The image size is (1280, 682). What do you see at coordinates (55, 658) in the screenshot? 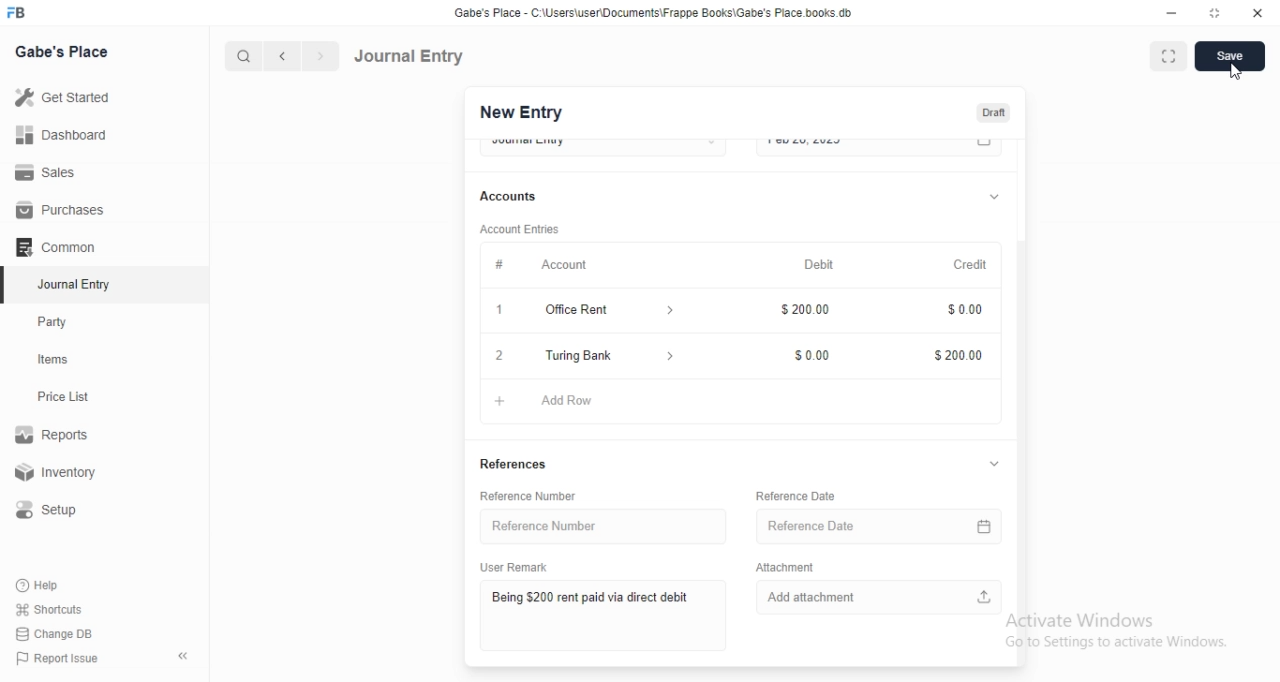
I see `‘Report Issue` at bounding box center [55, 658].